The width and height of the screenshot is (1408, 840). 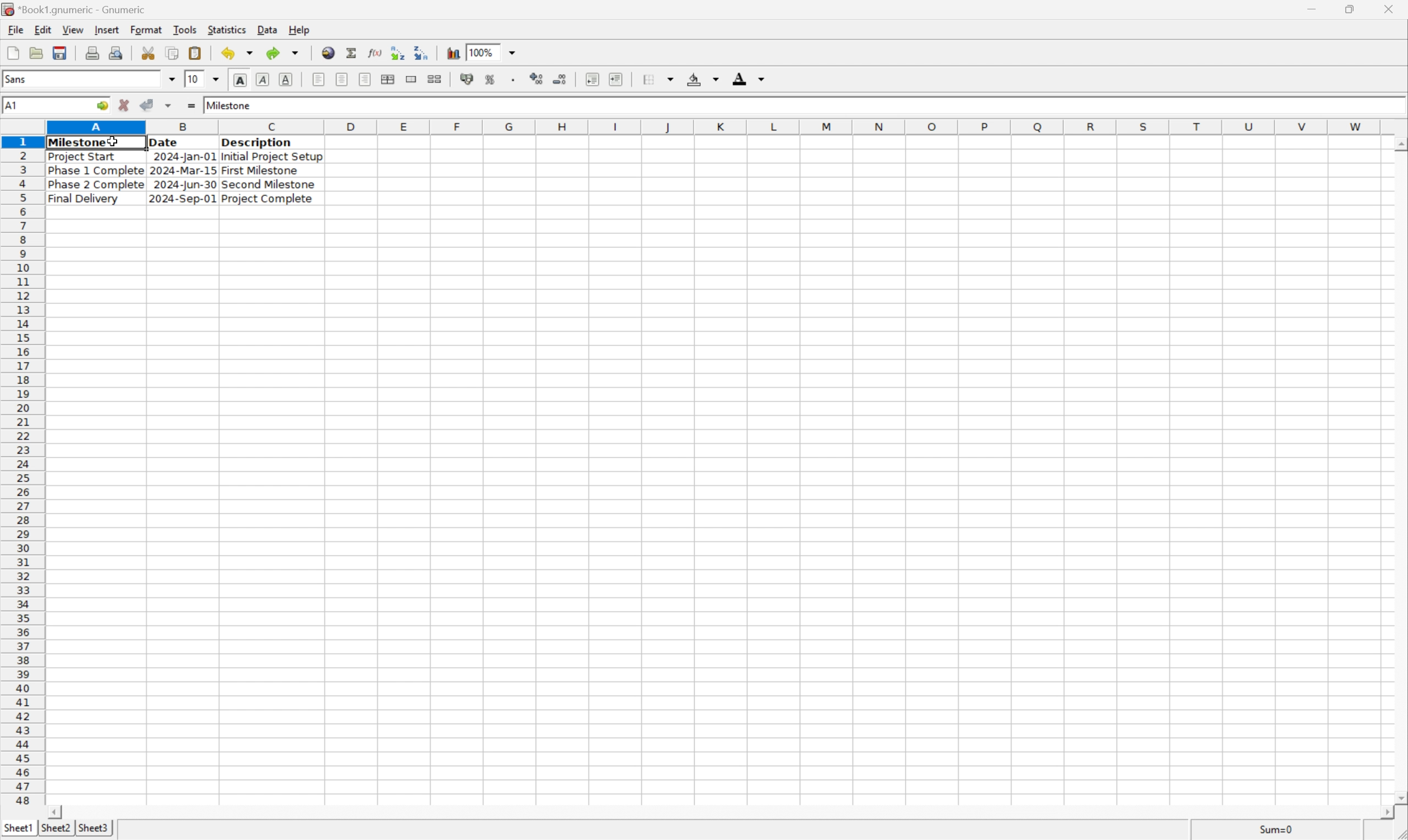 What do you see at coordinates (299, 28) in the screenshot?
I see `help` at bounding box center [299, 28].